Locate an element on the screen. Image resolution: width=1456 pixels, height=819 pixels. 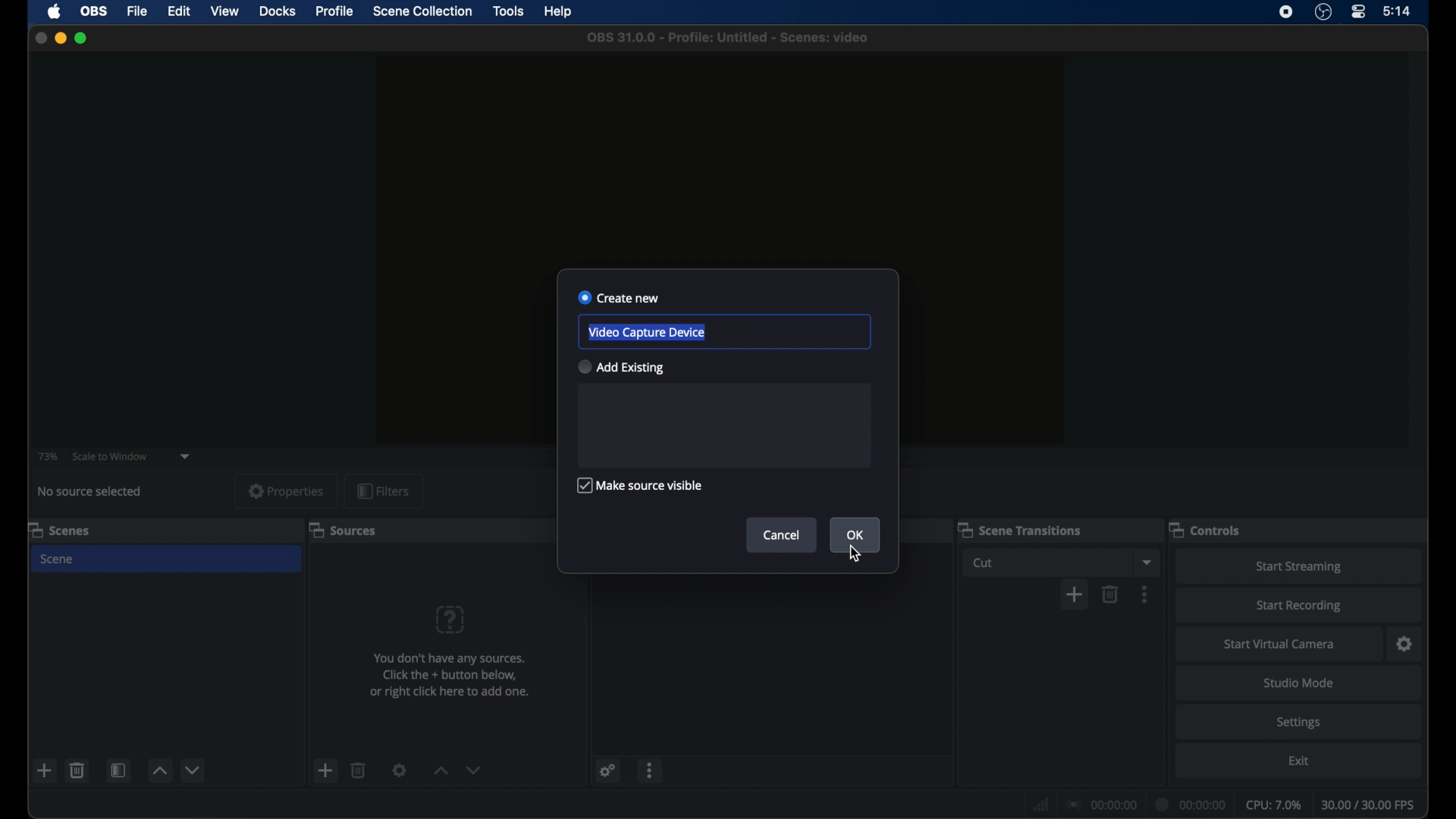
create new is located at coordinates (619, 298).